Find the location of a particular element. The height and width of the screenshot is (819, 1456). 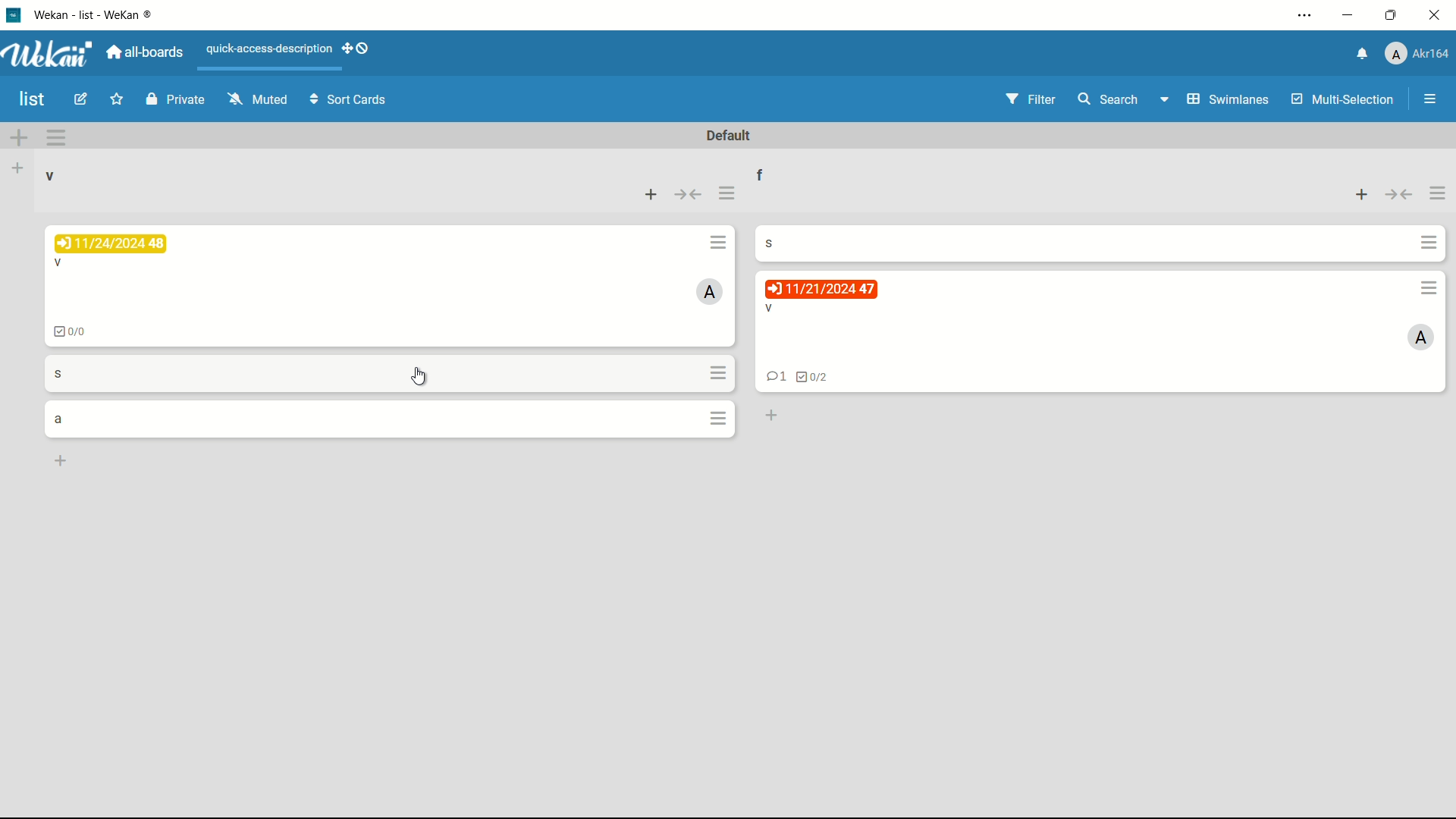

checklist is located at coordinates (815, 378).